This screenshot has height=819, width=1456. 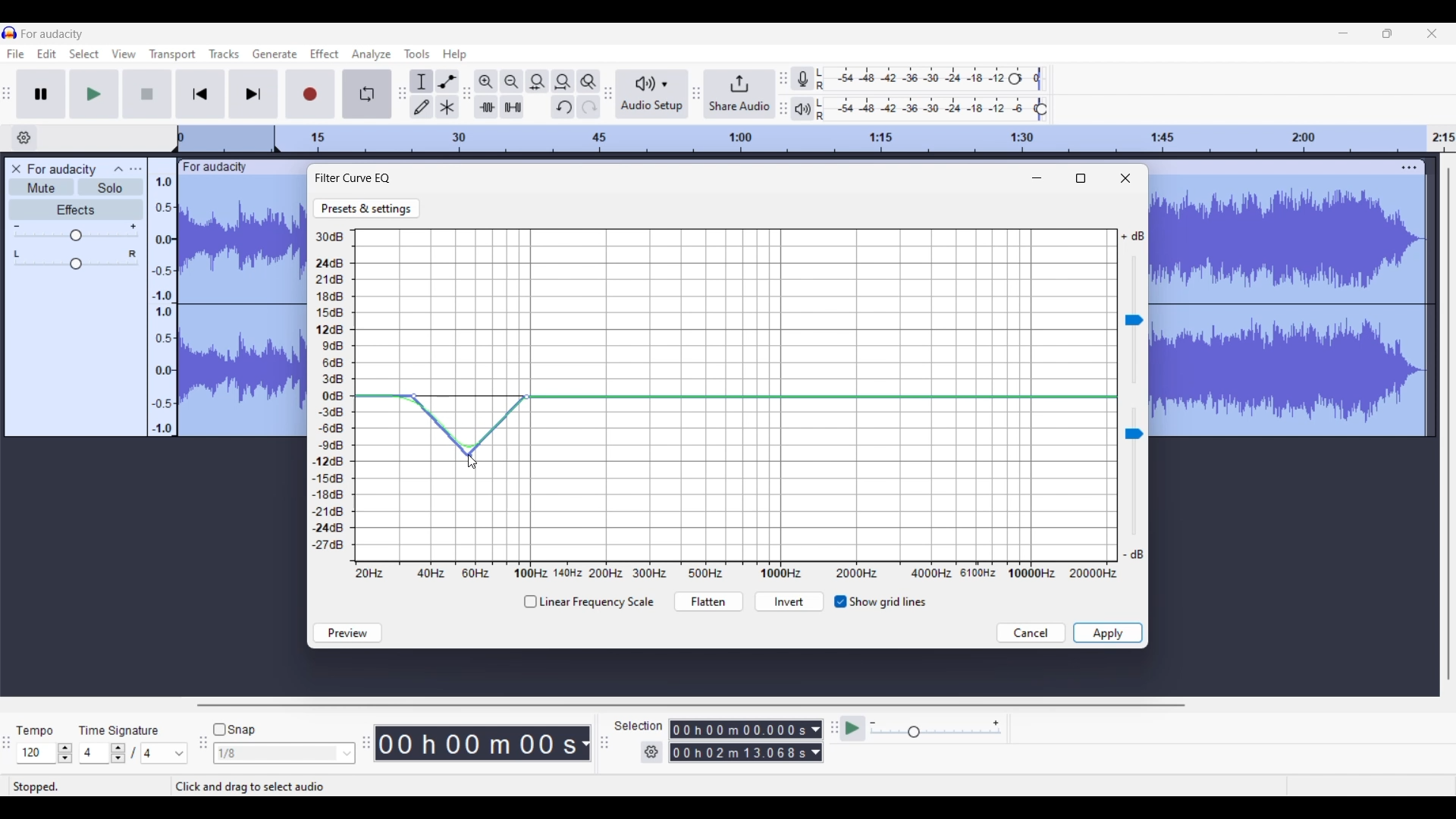 What do you see at coordinates (651, 752) in the screenshot?
I see `Selection settings` at bounding box center [651, 752].